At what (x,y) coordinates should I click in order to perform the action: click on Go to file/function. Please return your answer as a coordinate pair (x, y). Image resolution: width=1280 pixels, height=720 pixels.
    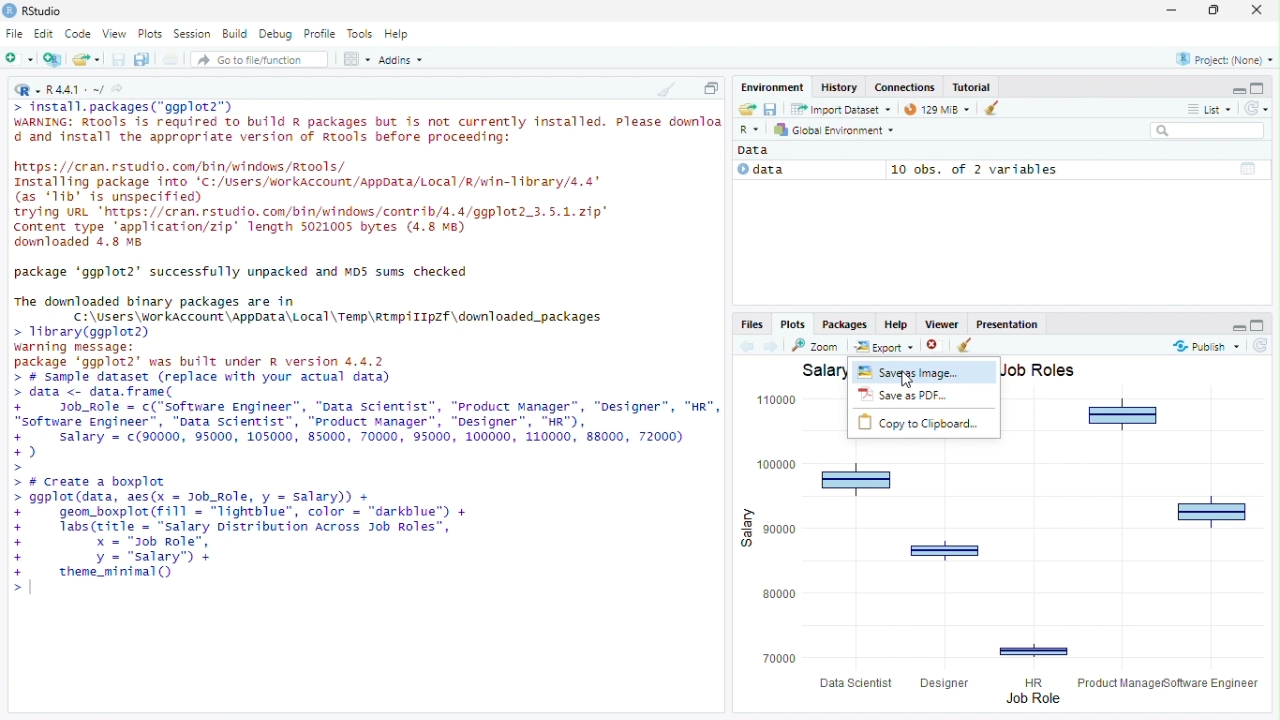
    Looking at the image, I should click on (259, 59).